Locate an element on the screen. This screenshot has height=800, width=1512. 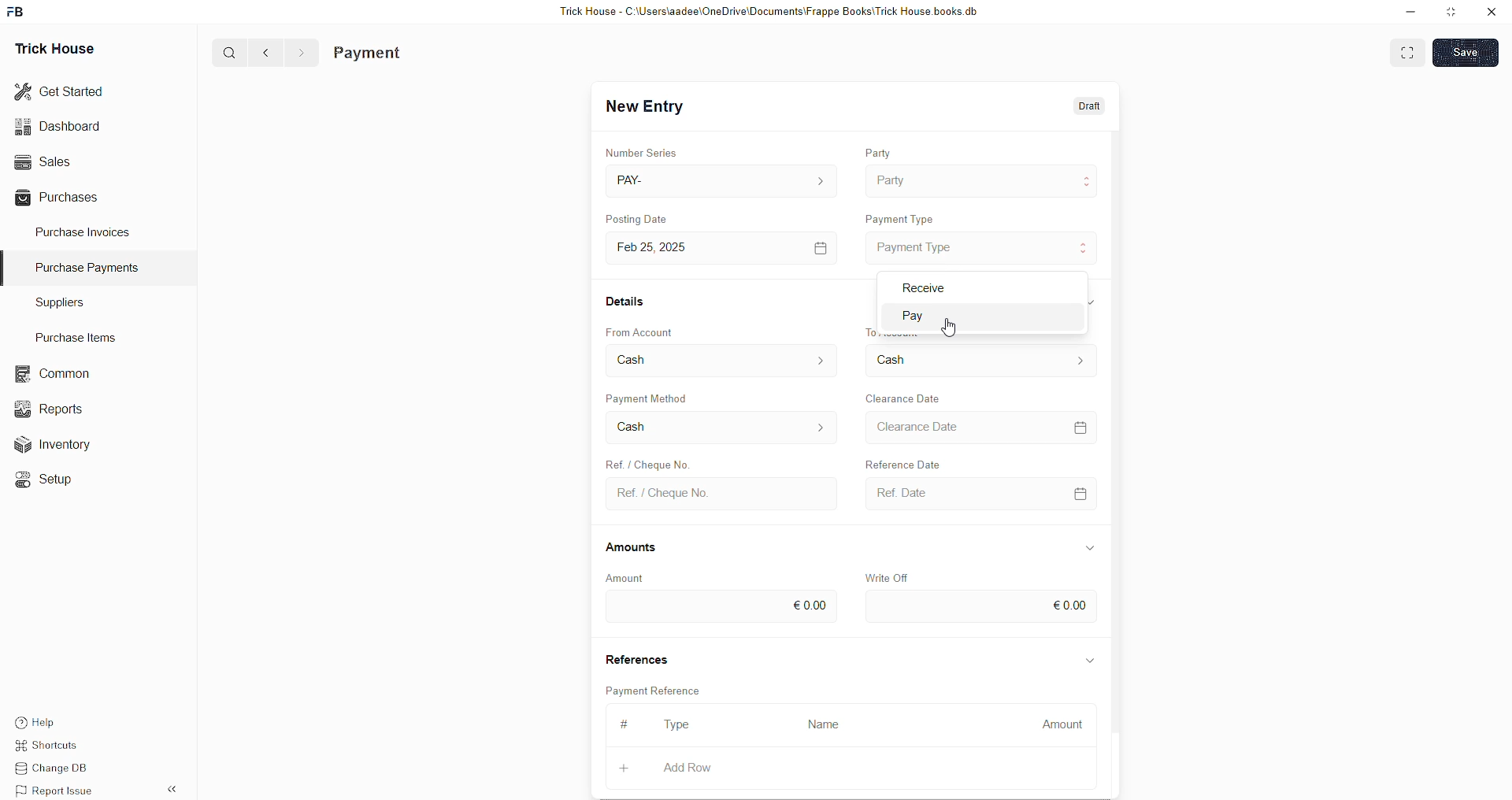
 Get Started is located at coordinates (60, 90).